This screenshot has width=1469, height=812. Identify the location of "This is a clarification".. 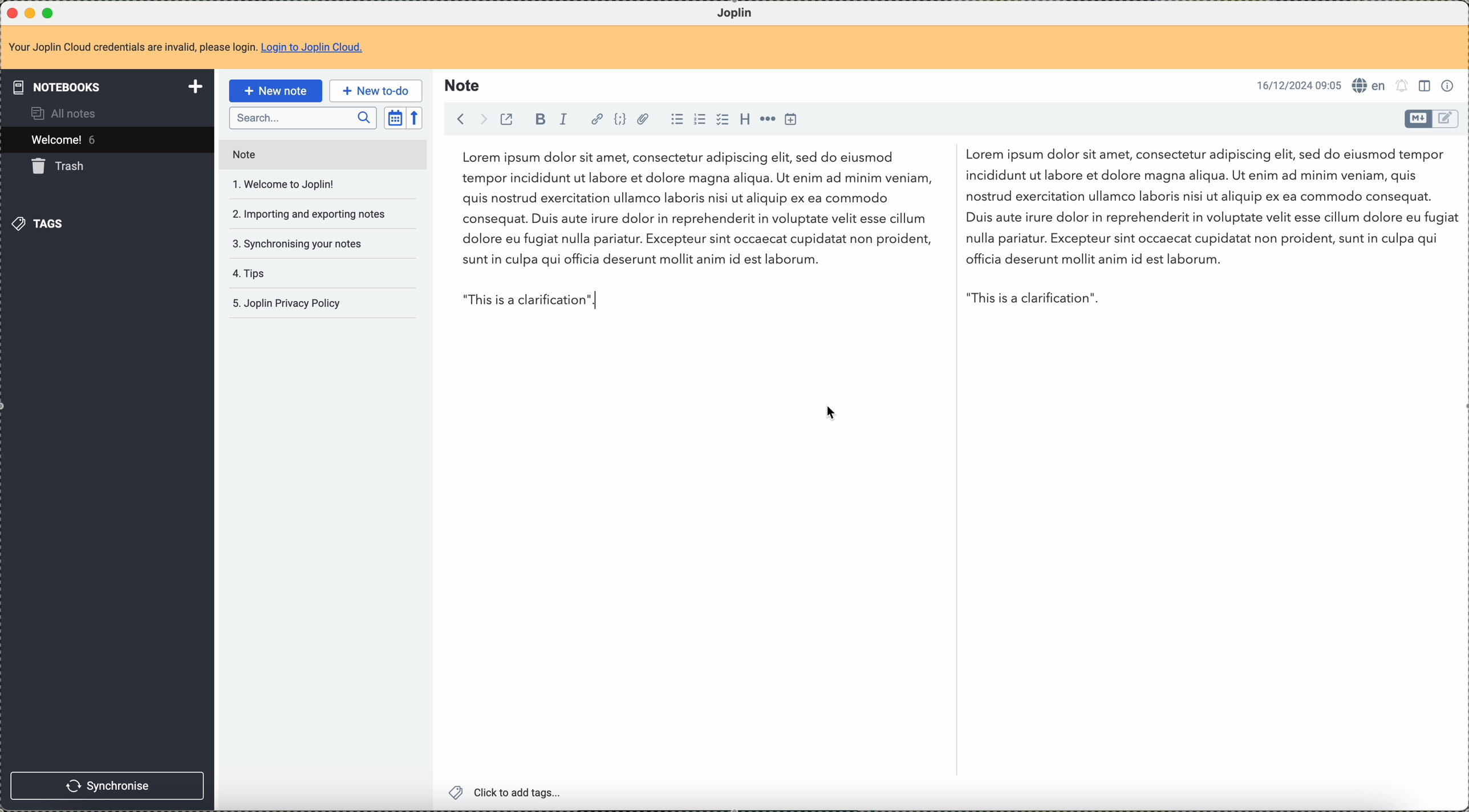
(702, 299).